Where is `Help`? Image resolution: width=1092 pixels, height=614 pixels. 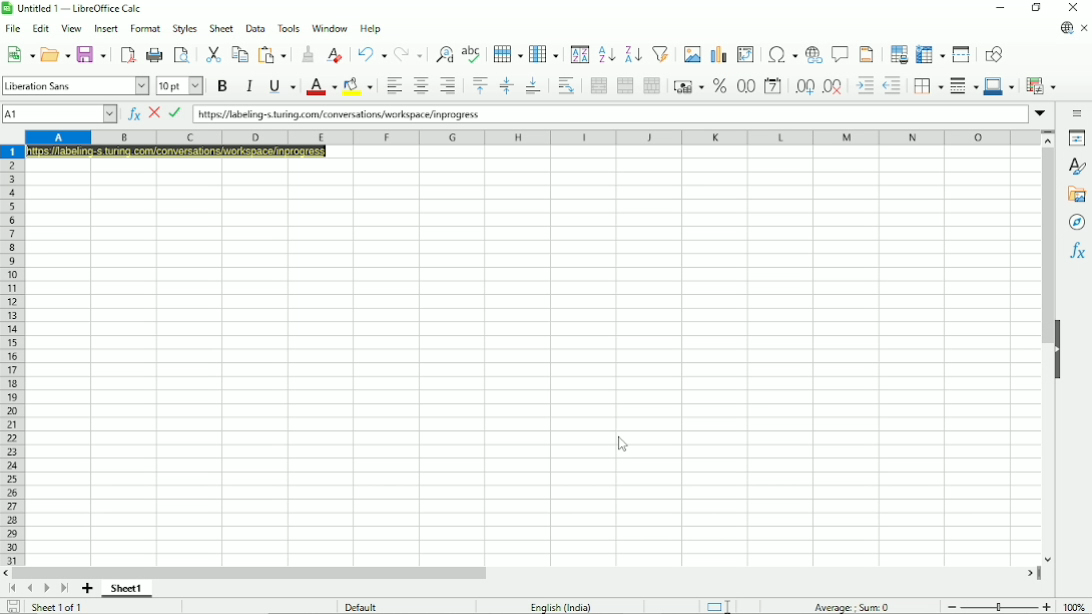 Help is located at coordinates (370, 28).